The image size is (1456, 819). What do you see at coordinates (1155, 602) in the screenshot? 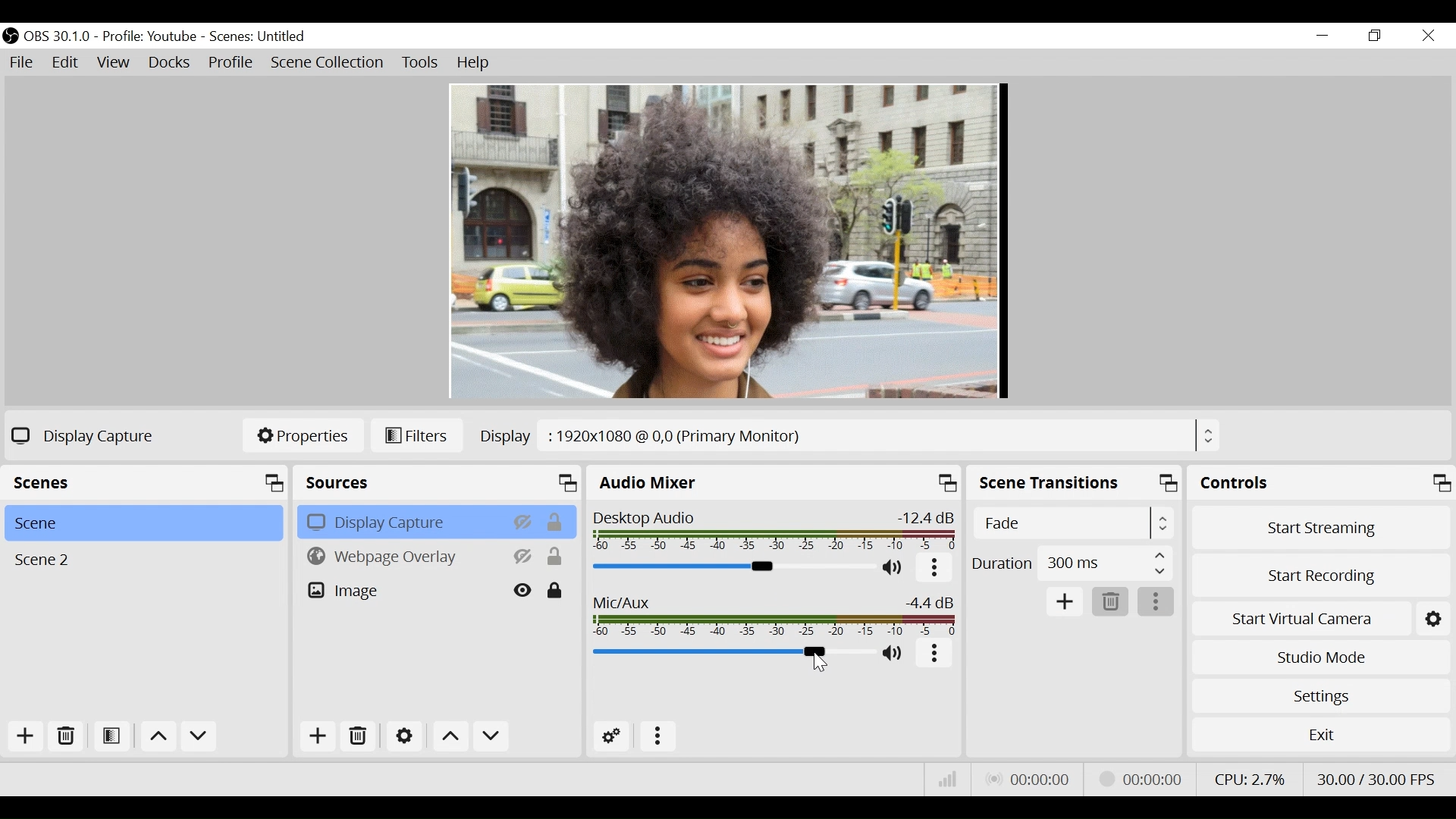
I see `more options` at bounding box center [1155, 602].